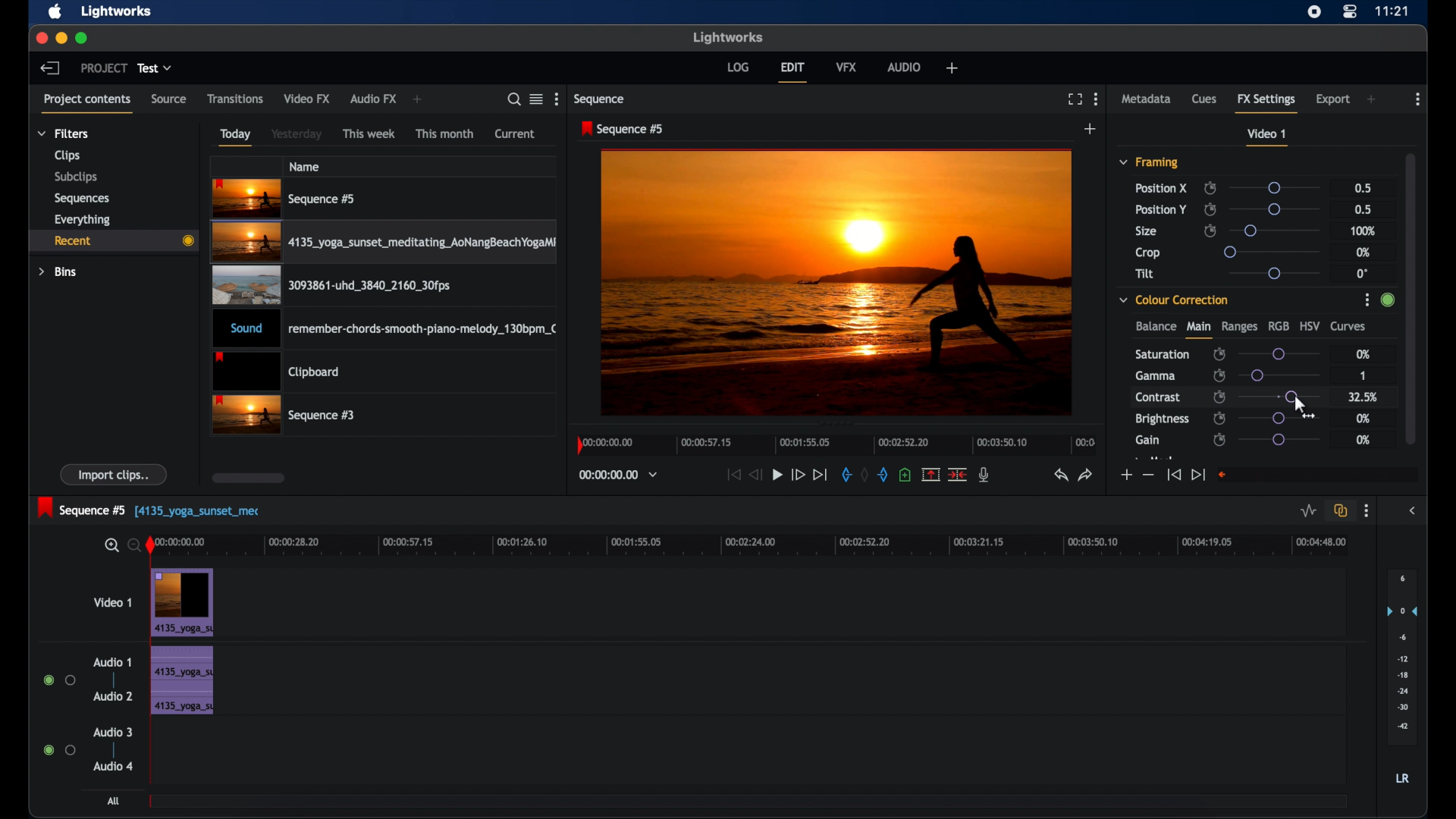  I want to click on enable/disable keyframes, so click(1210, 188).